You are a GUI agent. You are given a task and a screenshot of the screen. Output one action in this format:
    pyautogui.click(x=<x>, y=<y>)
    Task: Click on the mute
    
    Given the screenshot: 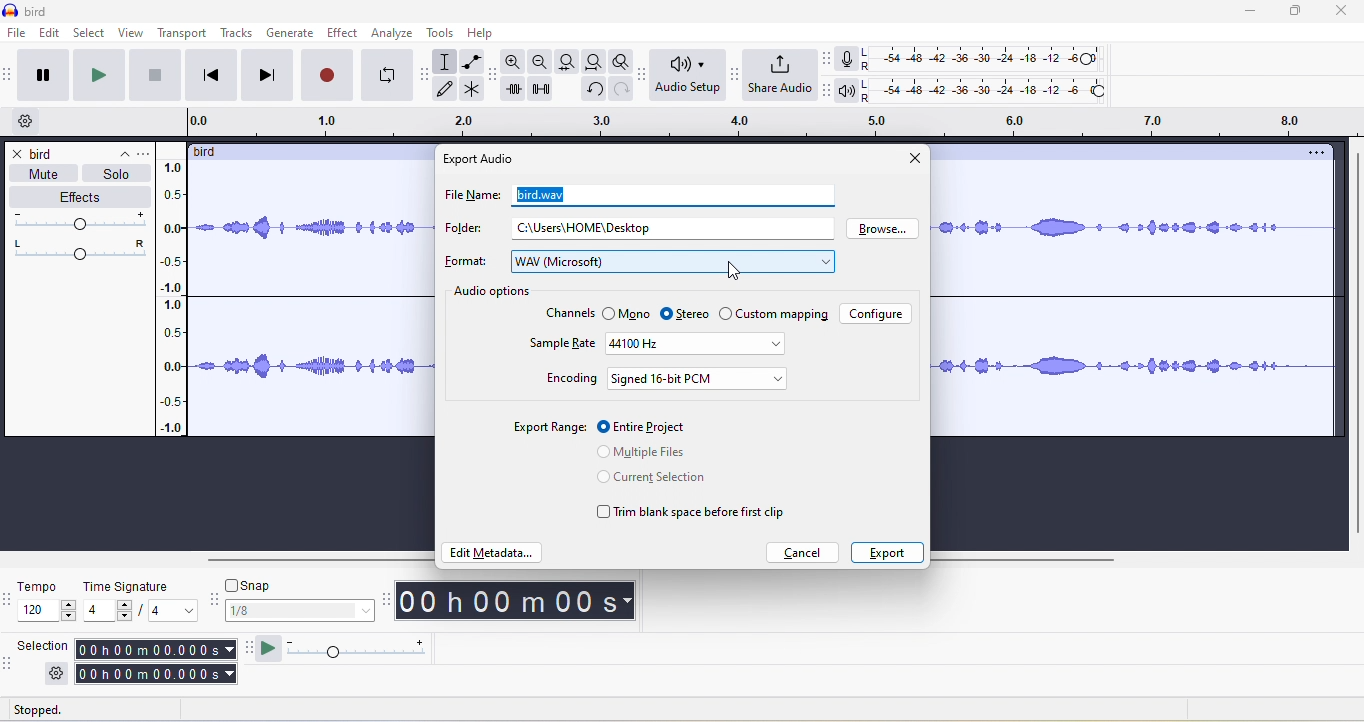 What is the action you would take?
    pyautogui.click(x=39, y=174)
    